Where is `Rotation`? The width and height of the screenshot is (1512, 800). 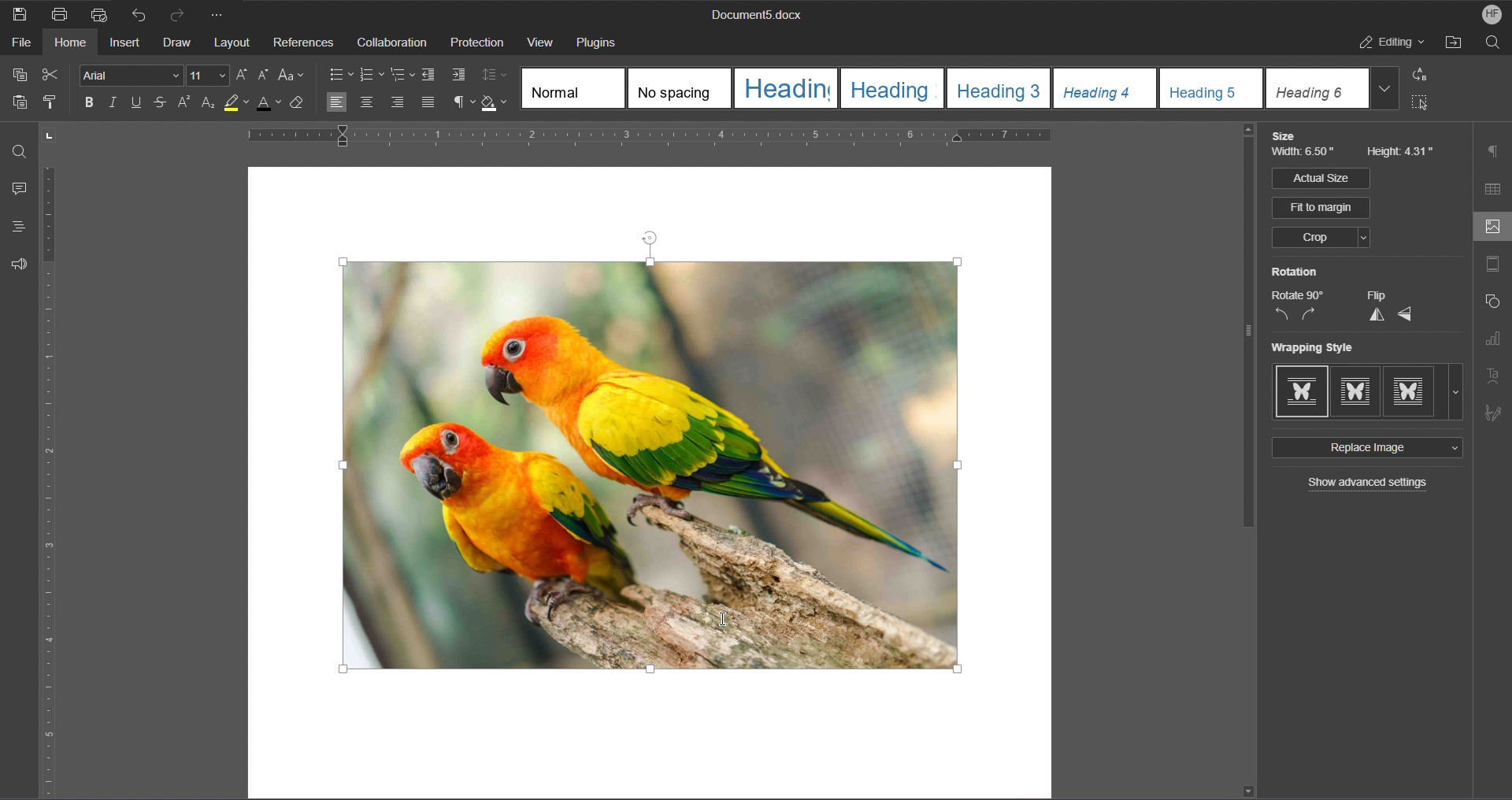 Rotation is located at coordinates (1295, 272).